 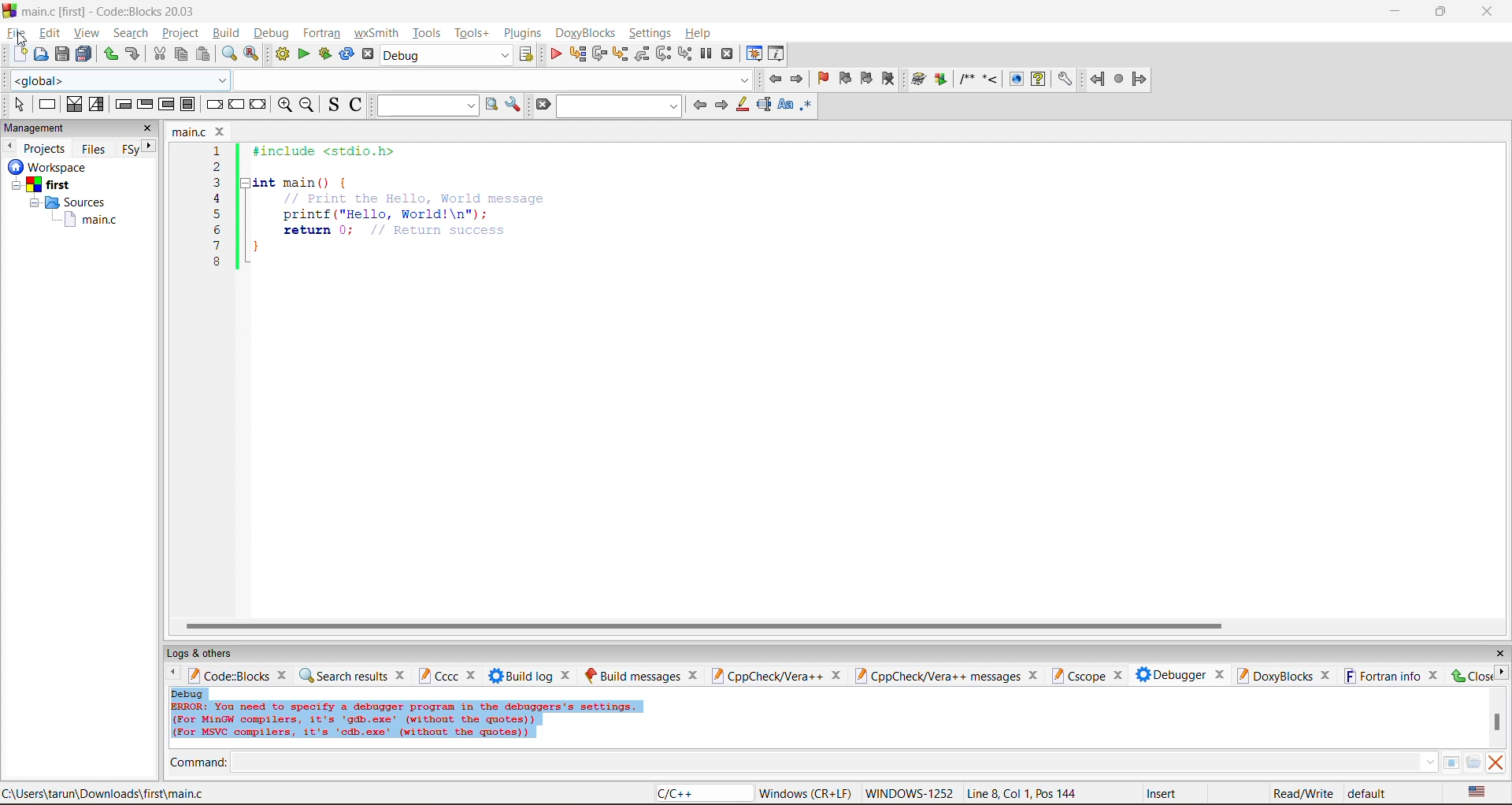 What do you see at coordinates (1489, 12) in the screenshot?
I see `close ` at bounding box center [1489, 12].